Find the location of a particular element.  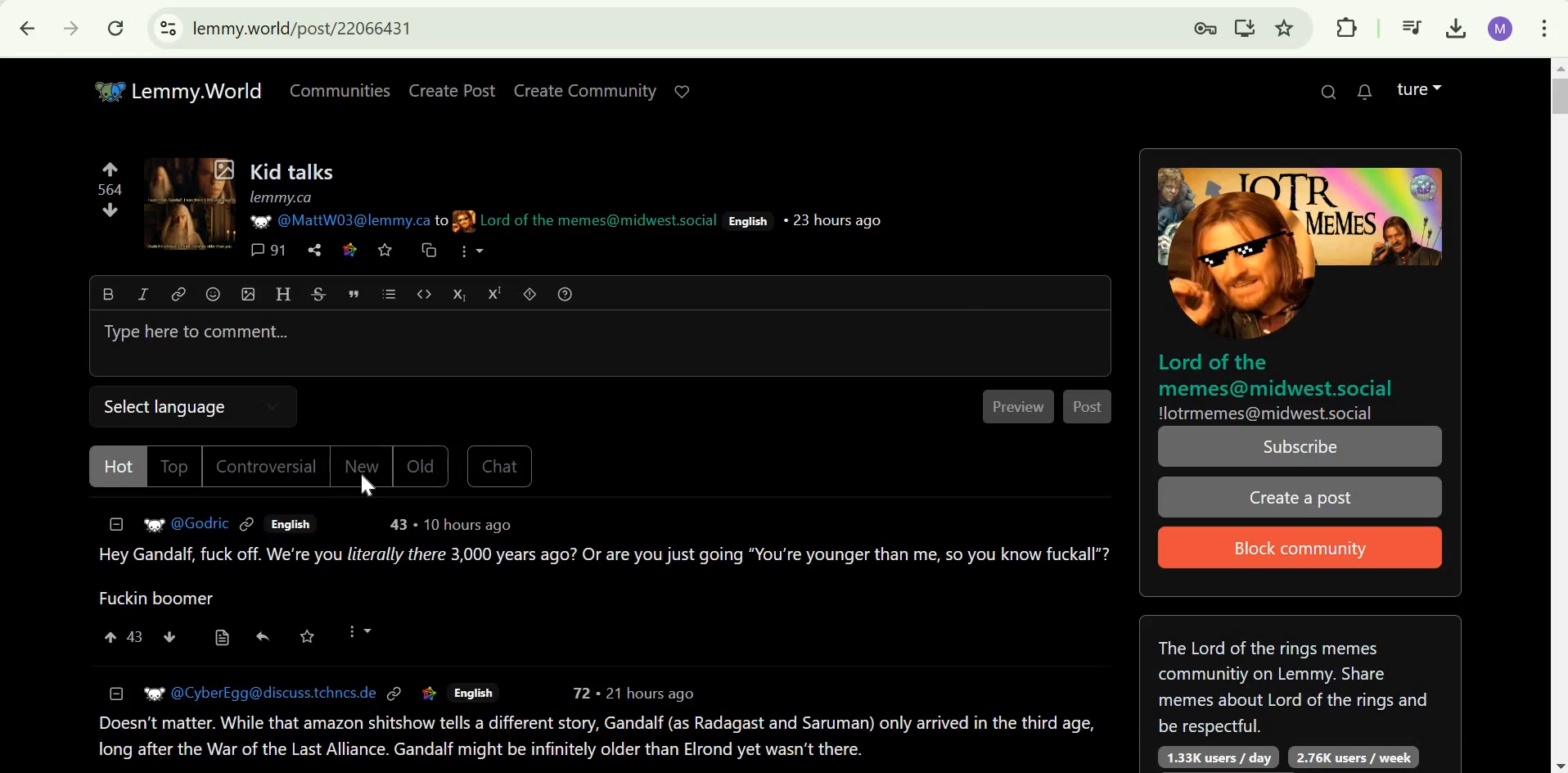

more is located at coordinates (470, 252).